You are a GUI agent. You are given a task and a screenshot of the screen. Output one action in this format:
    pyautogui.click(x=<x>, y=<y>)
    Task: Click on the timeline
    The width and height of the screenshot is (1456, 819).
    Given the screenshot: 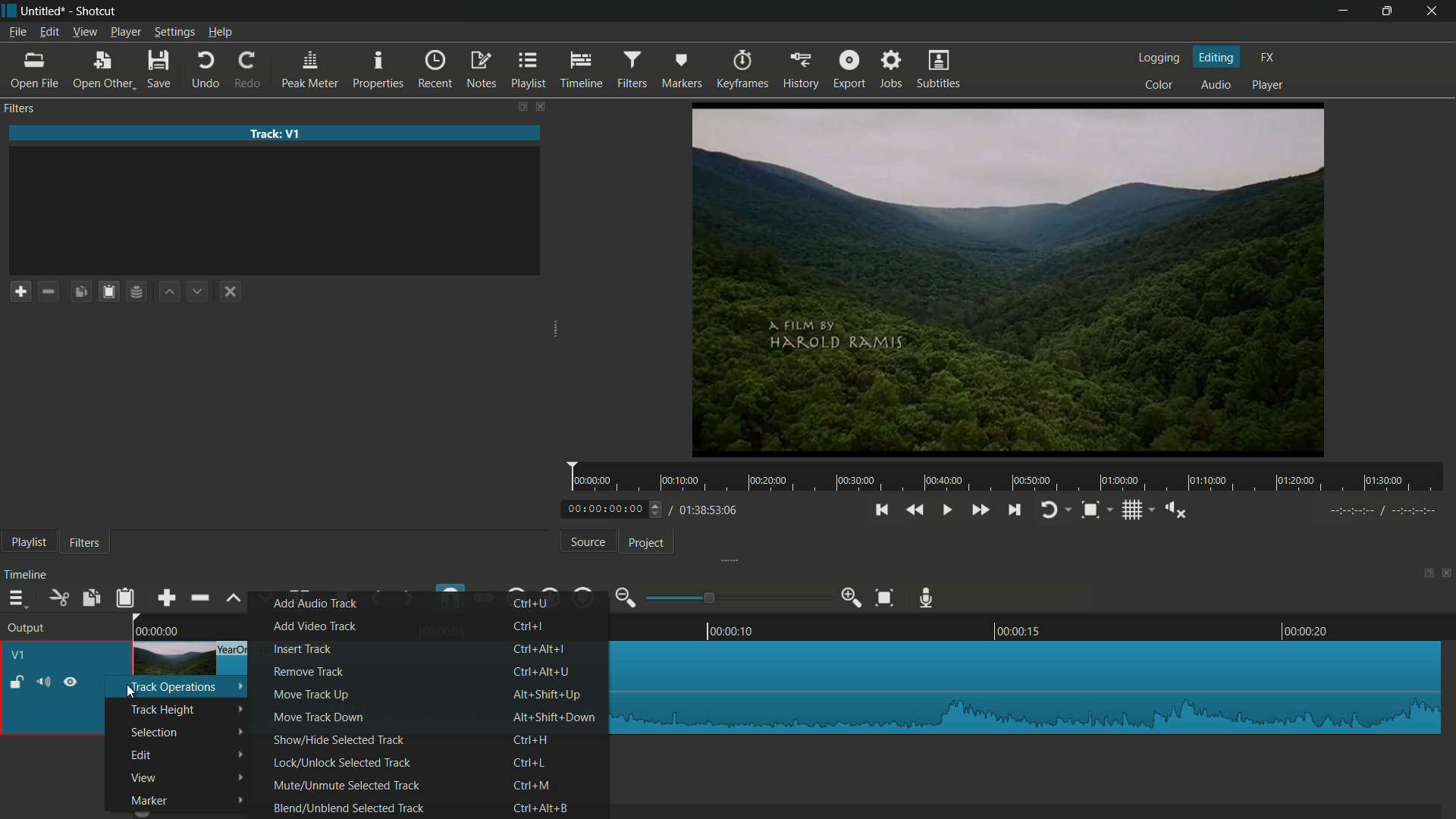 What is the action you would take?
    pyautogui.click(x=581, y=71)
    